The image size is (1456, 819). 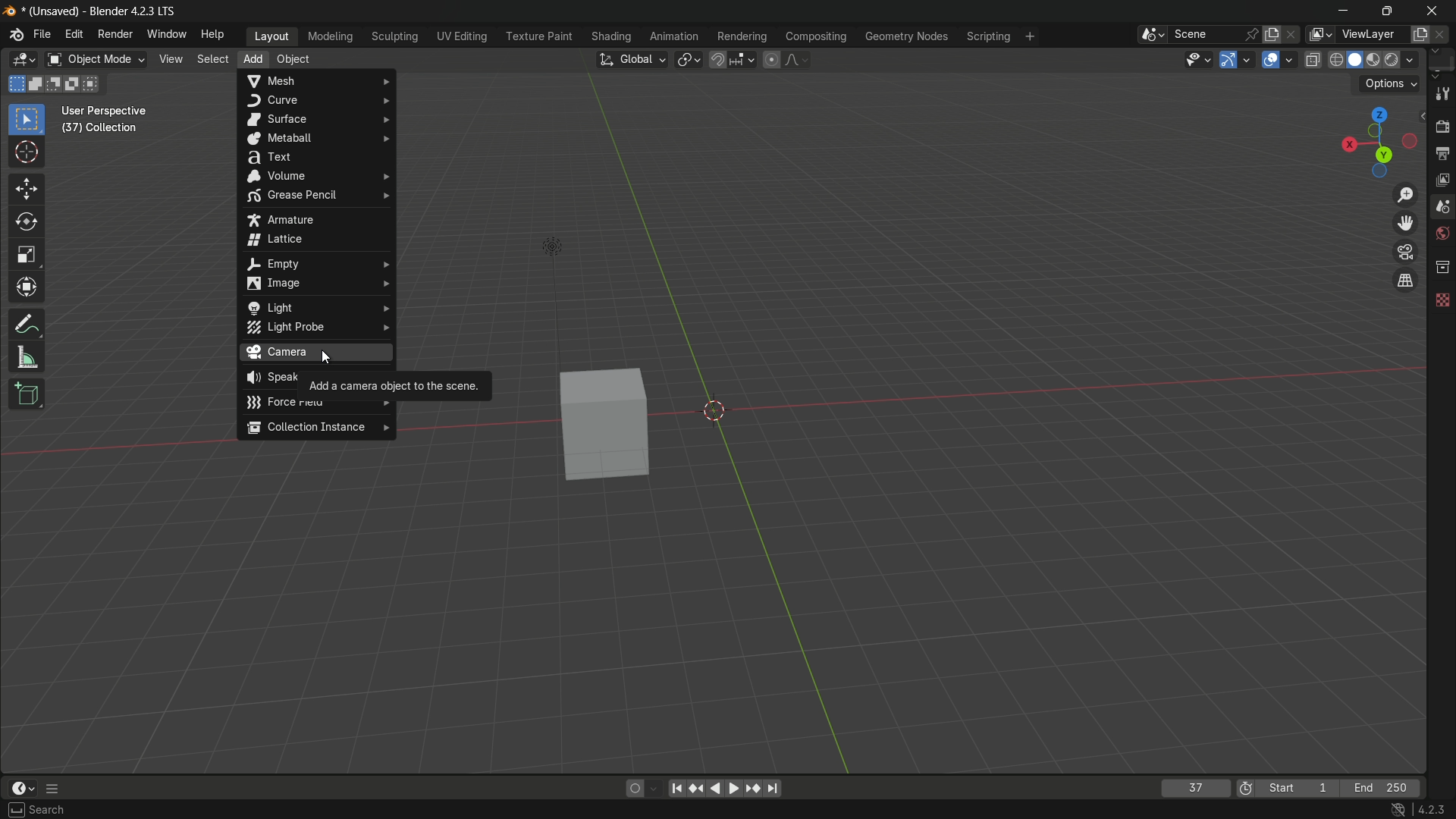 I want to click on animation menu, so click(x=674, y=36).